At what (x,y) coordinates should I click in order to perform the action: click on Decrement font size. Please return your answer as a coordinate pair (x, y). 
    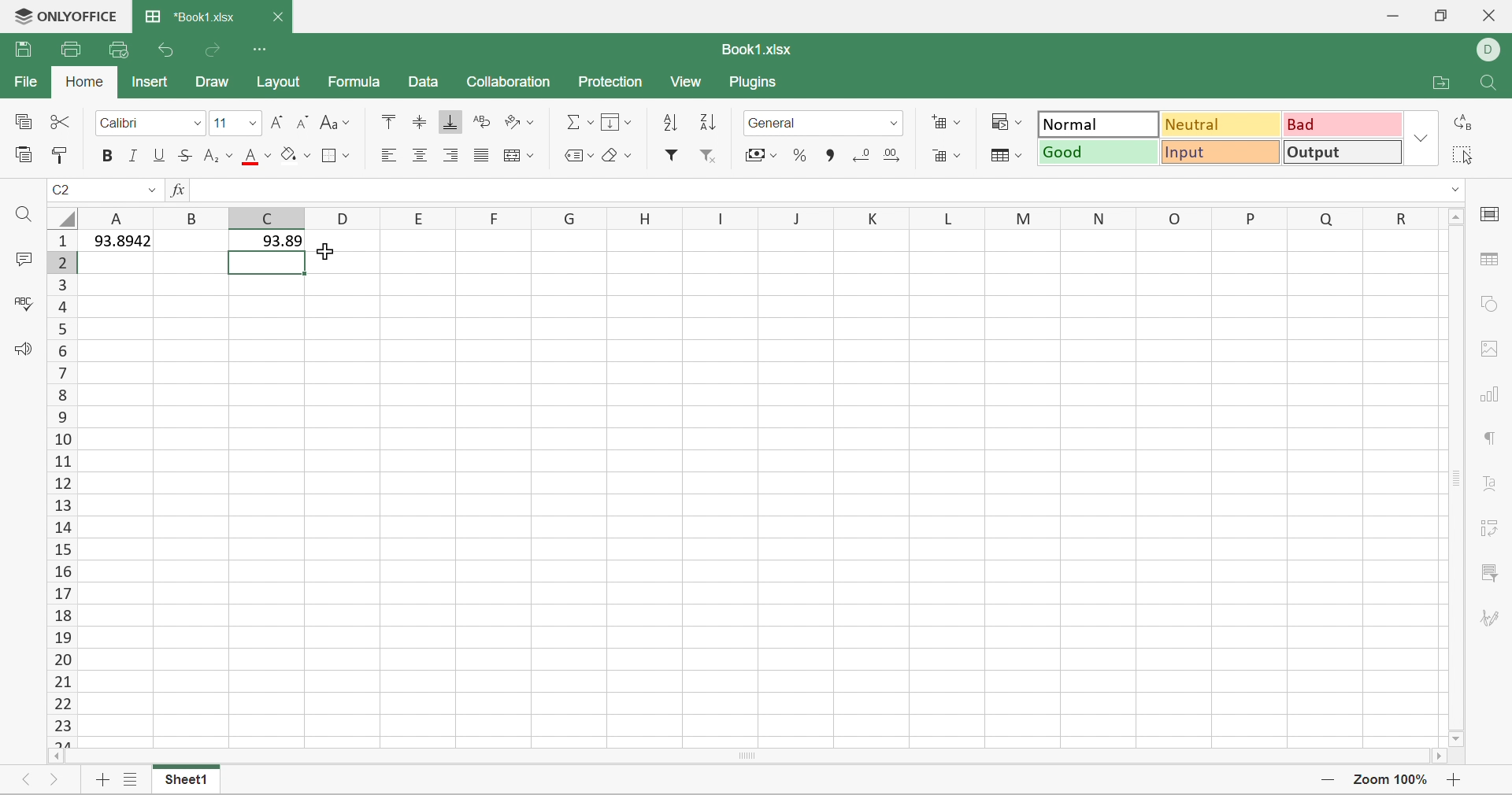
    Looking at the image, I should click on (302, 120).